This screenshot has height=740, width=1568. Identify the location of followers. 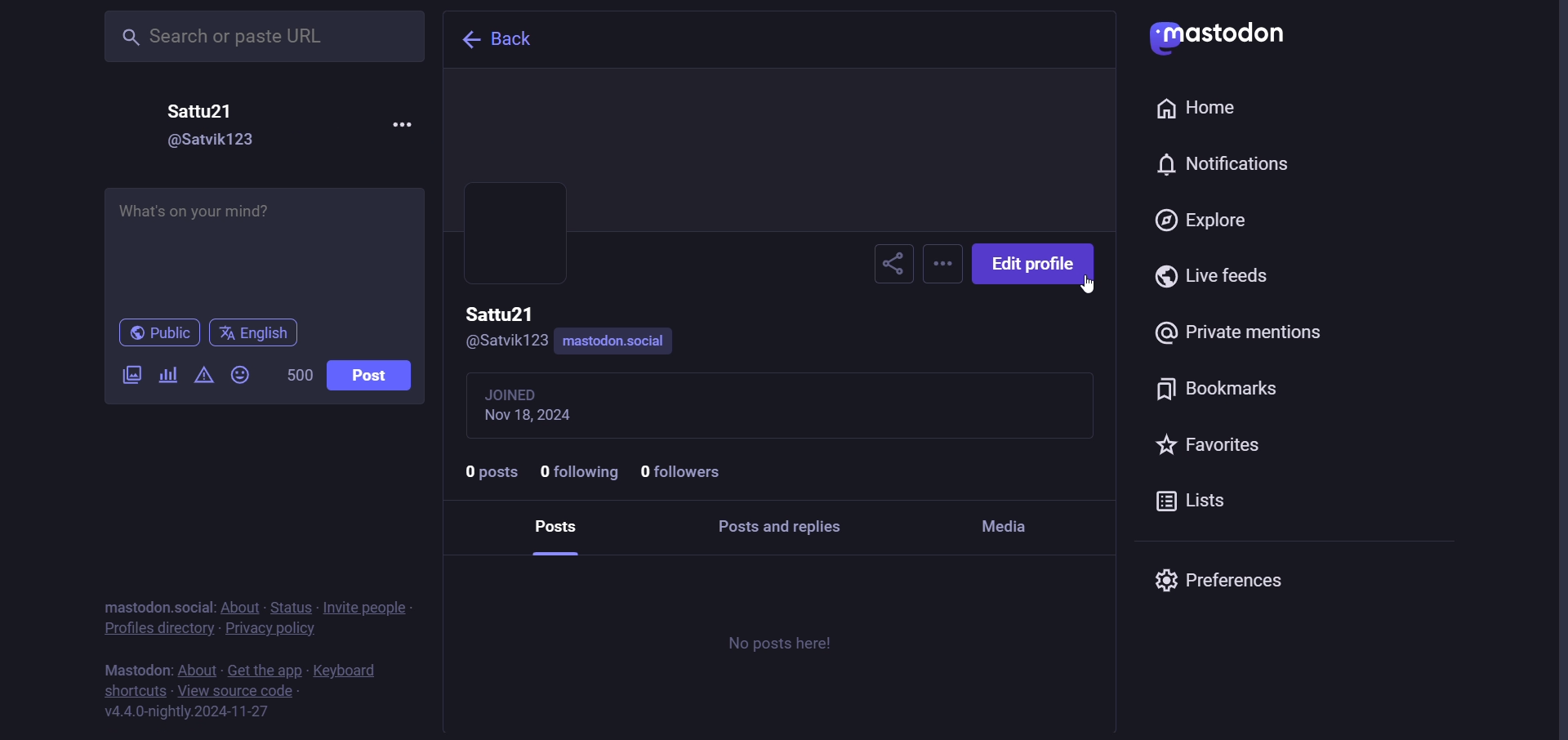
(682, 471).